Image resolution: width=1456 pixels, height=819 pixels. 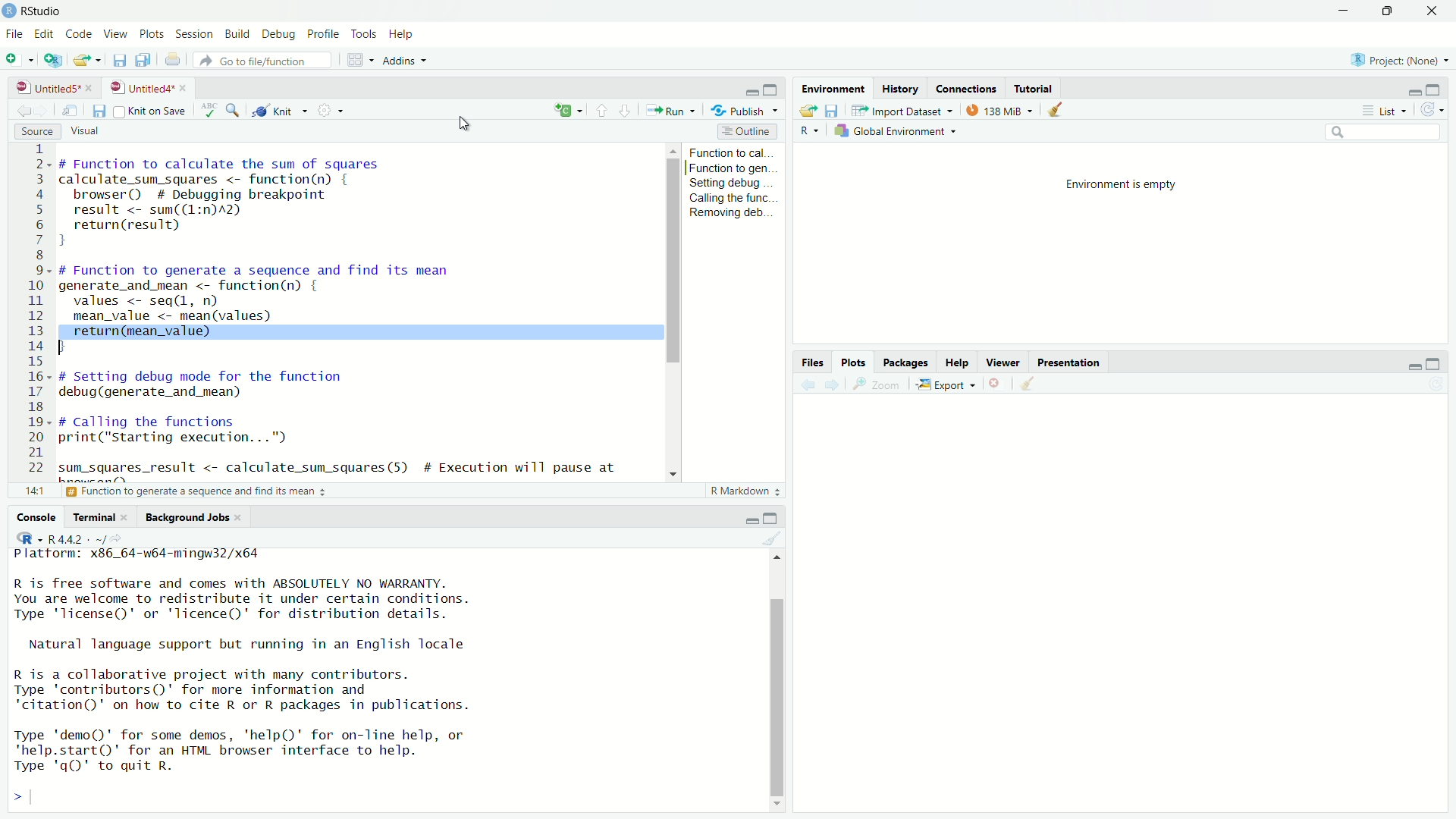 I want to click on show in new window, so click(x=71, y=110).